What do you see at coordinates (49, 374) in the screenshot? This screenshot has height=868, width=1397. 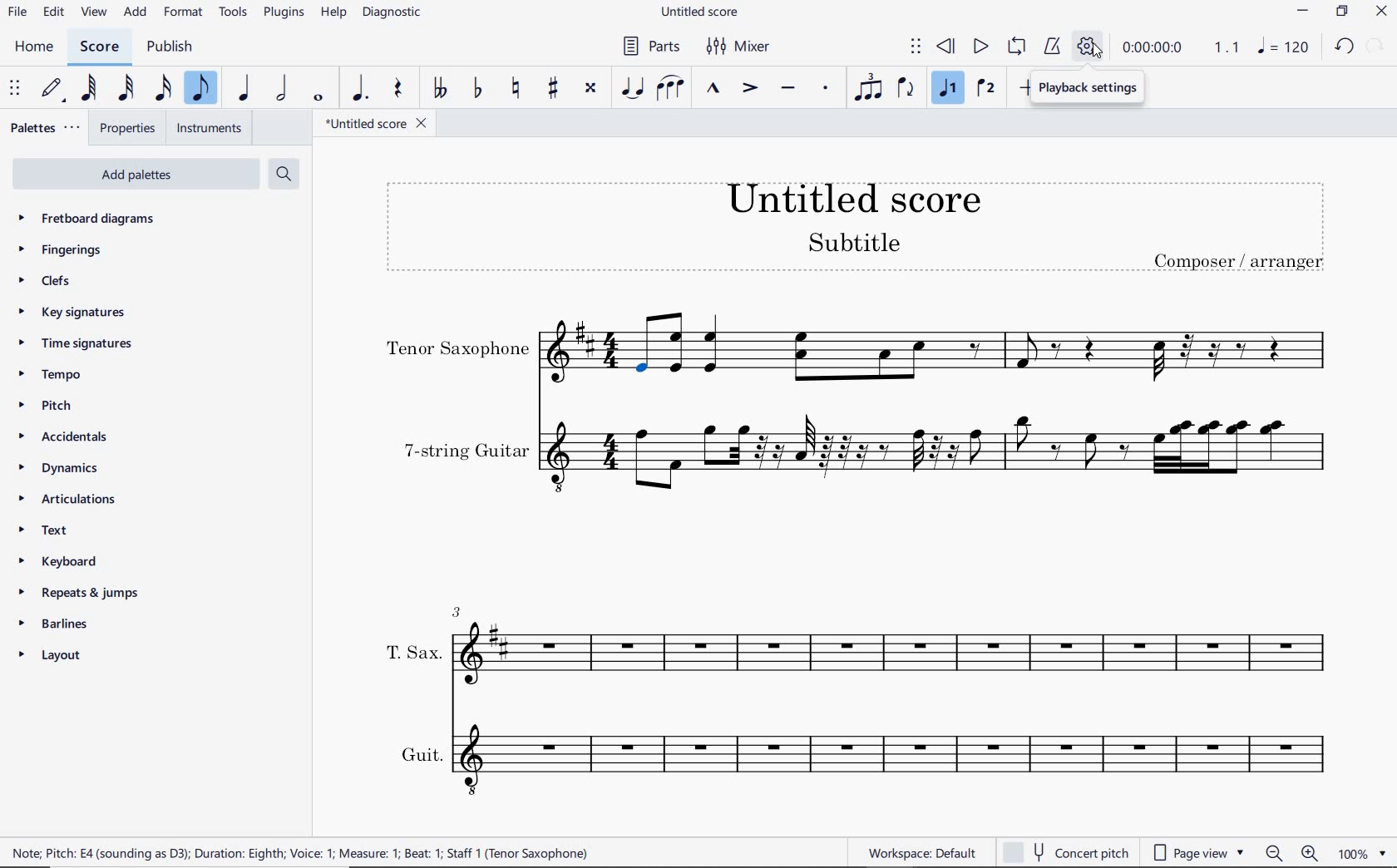 I see `TEMPO` at bounding box center [49, 374].